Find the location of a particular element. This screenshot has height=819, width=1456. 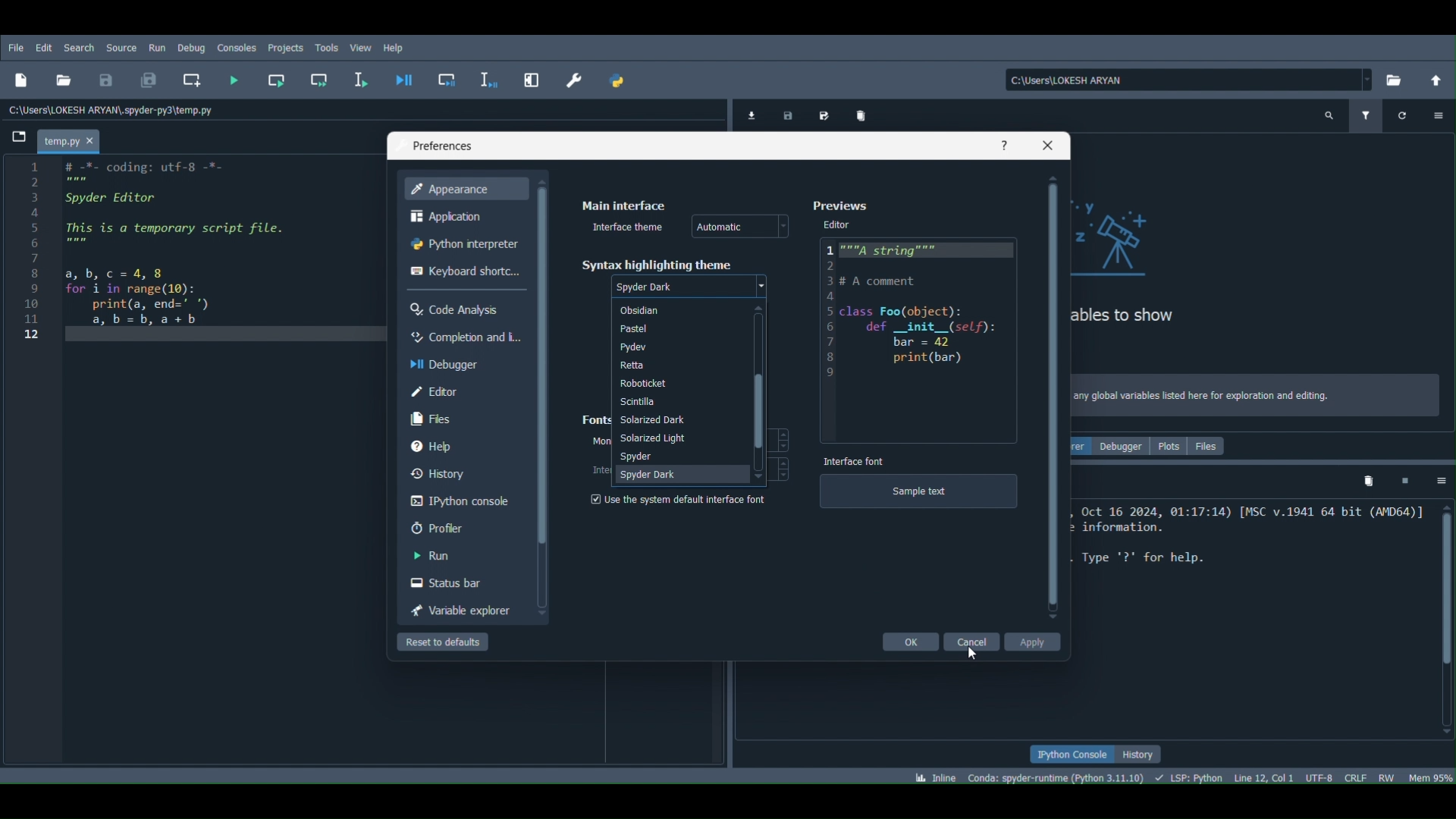

Cursor position is located at coordinates (1263, 775).